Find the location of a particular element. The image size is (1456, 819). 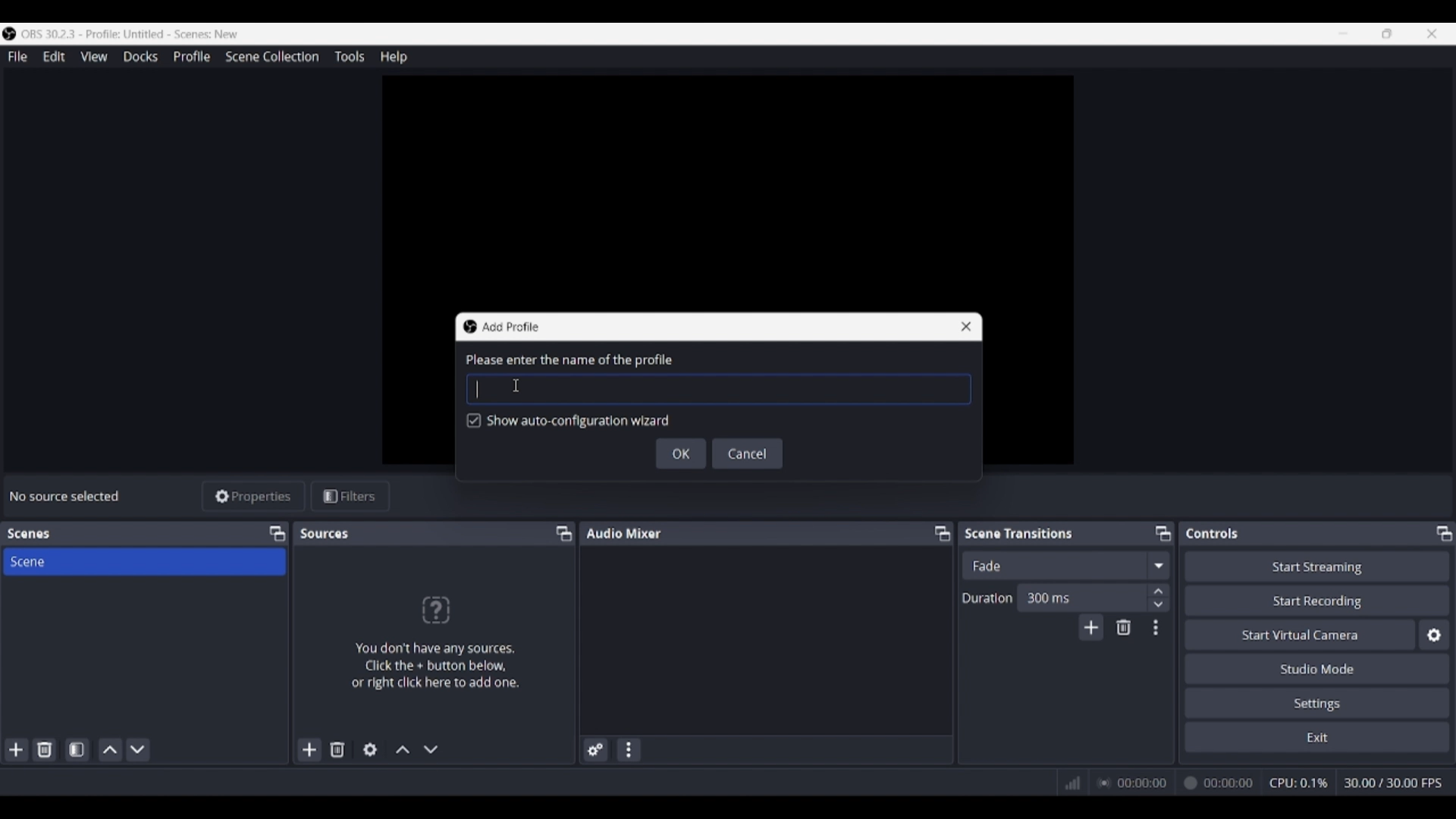

Panel title is located at coordinates (624, 532).